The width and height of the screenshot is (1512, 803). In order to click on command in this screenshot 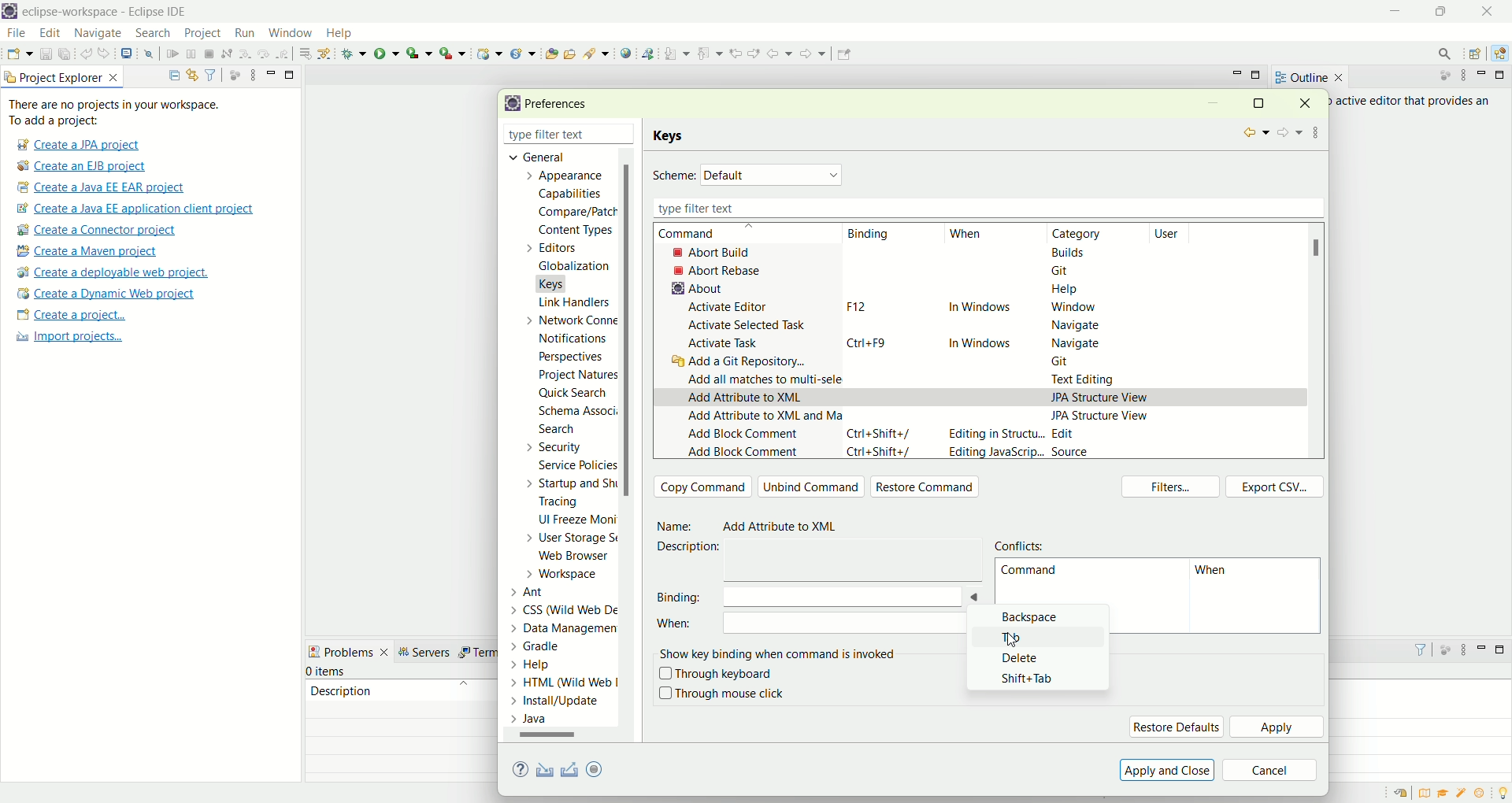, I will do `click(1028, 573)`.